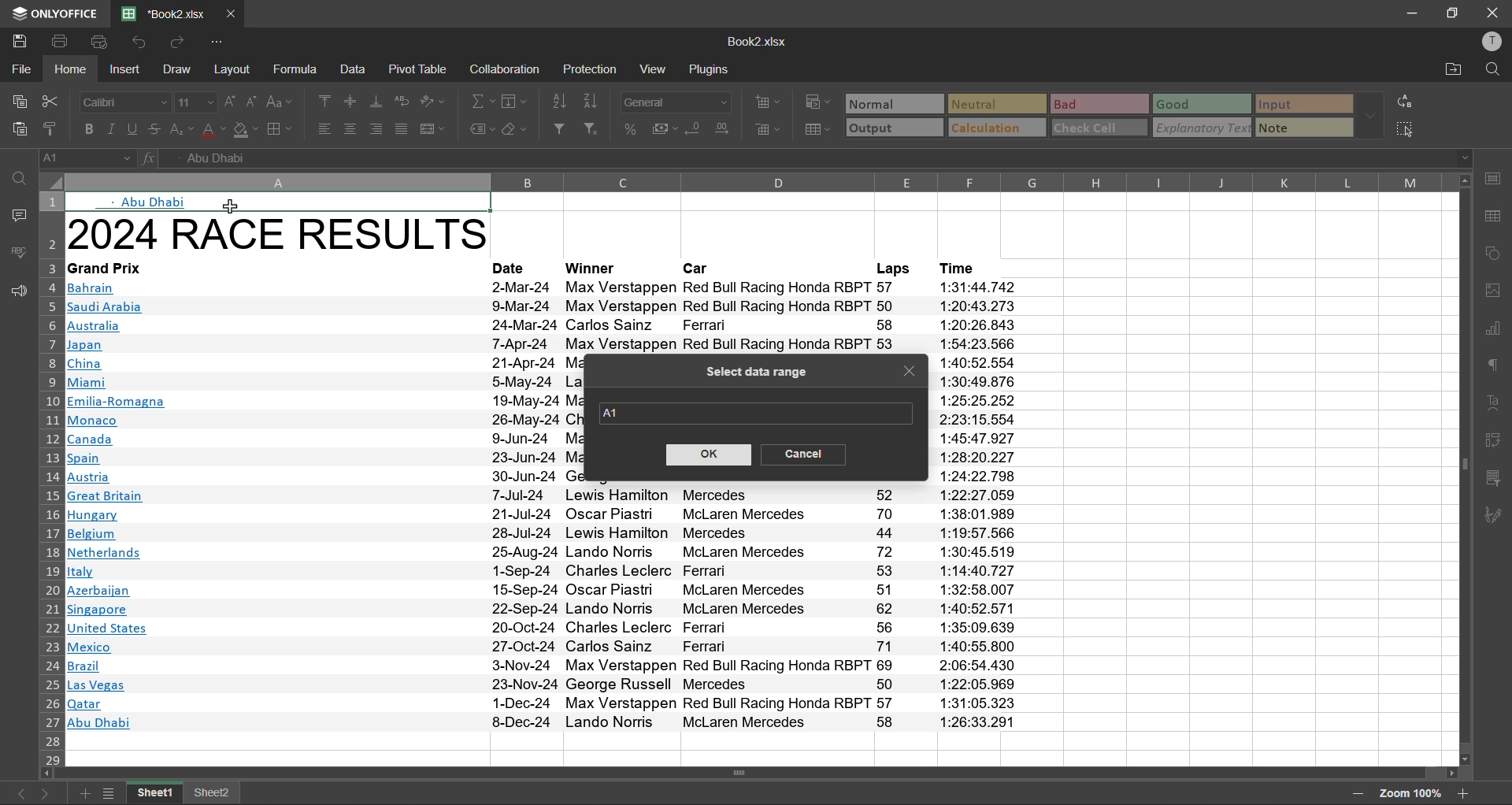 Image resolution: width=1512 pixels, height=805 pixels. What do you see at coordinates (209, 133) in the screenshot?
I see `font color` at bounding box center [209, 133].